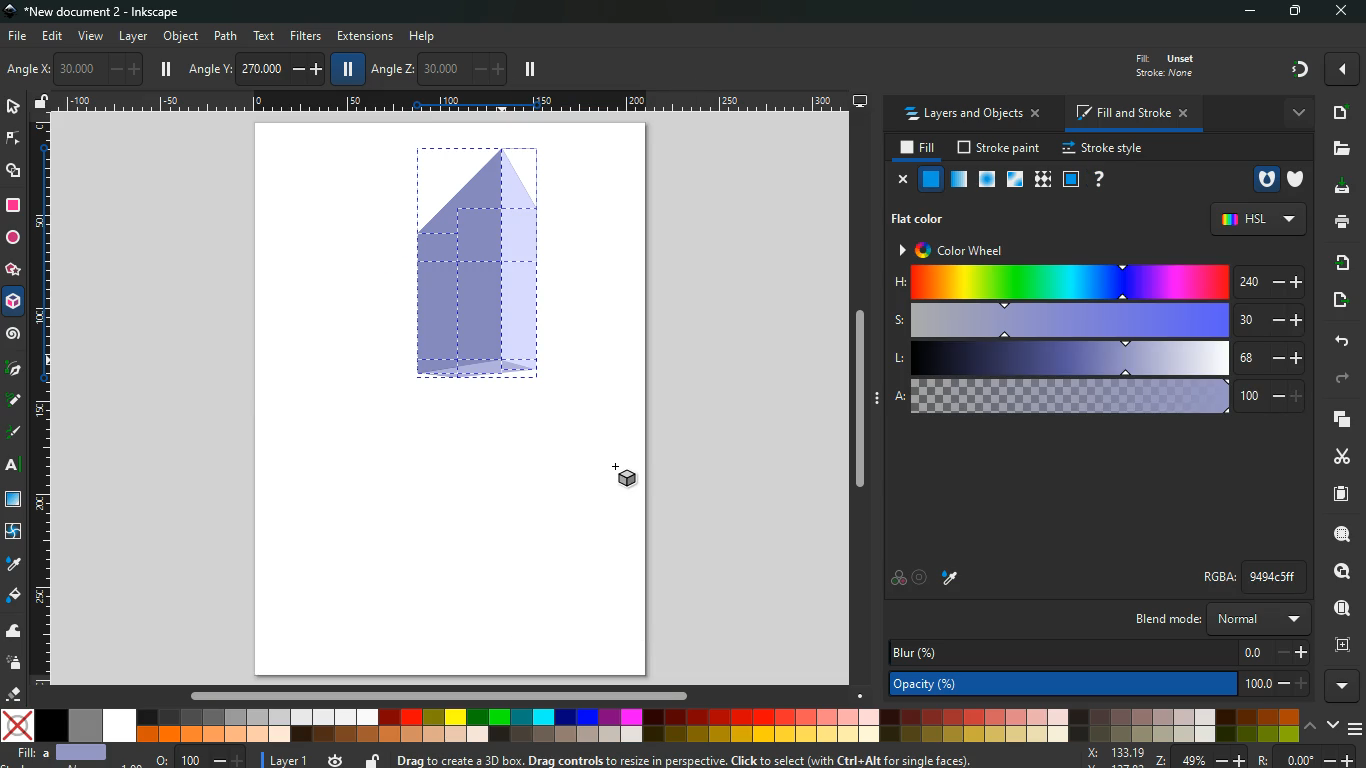 Image resolution: width=1366 pixels, height=768 pixels. I want to click on stroke style, so click(1102, 149).